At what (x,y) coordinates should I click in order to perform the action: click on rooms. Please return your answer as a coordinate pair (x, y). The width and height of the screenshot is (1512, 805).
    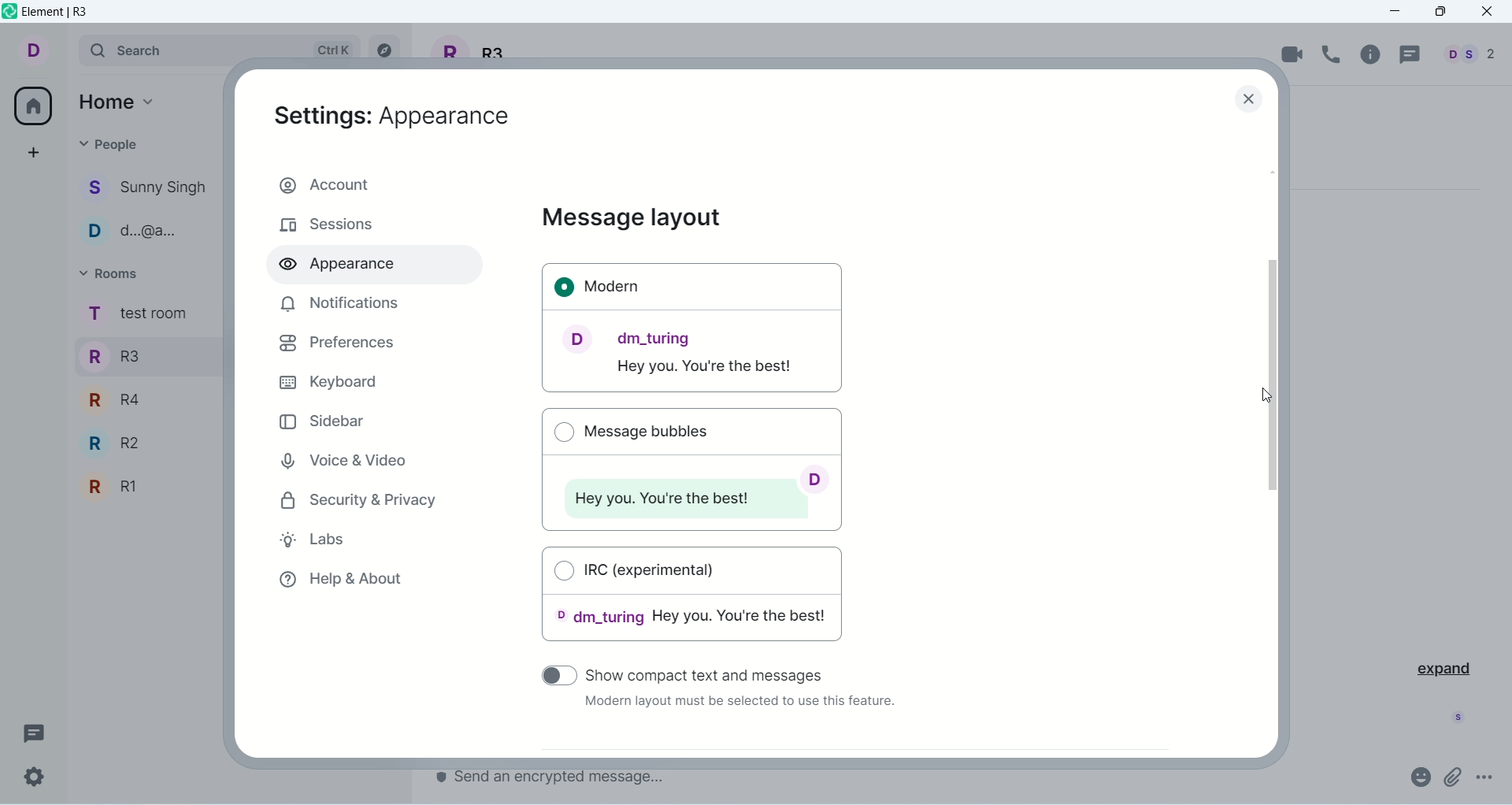
    Looking at the image, I should click on (112, 273).